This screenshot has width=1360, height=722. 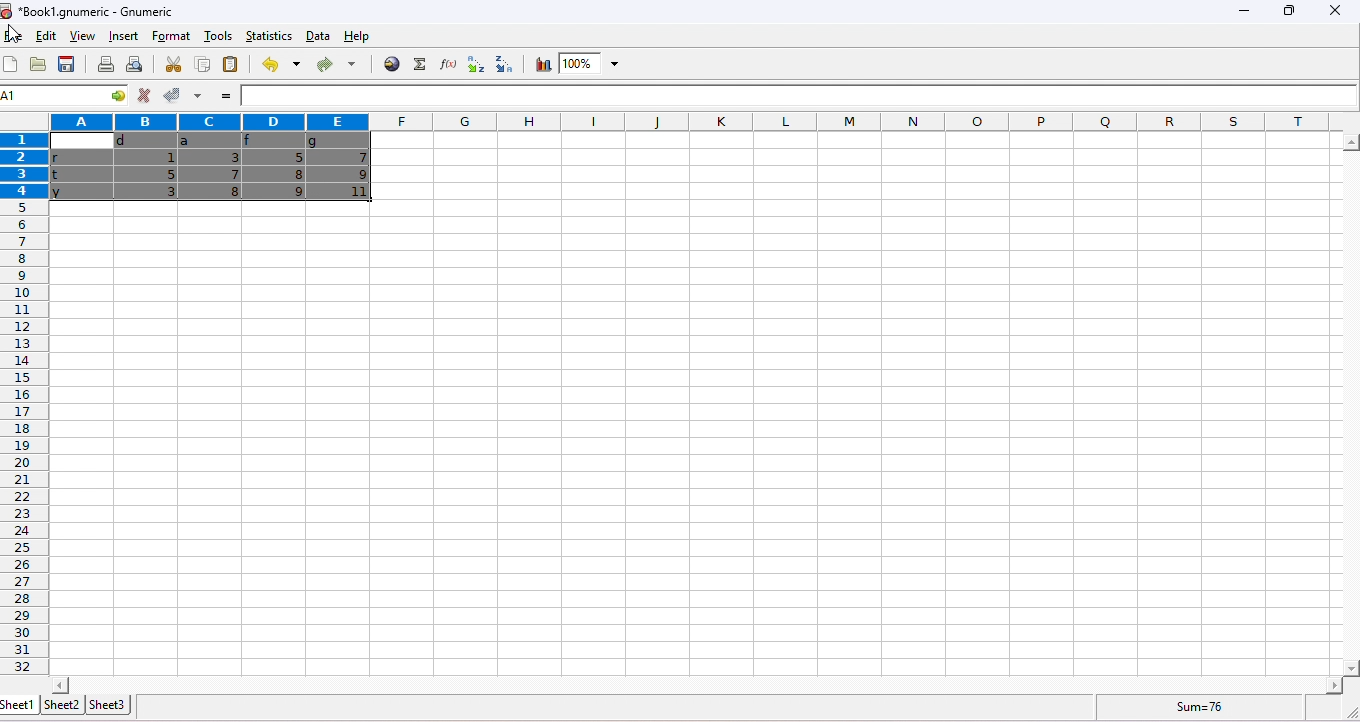 What do you see at coordinates (335, 66) in the screenshot?
I see `redo` at bounding box center [335, 66].